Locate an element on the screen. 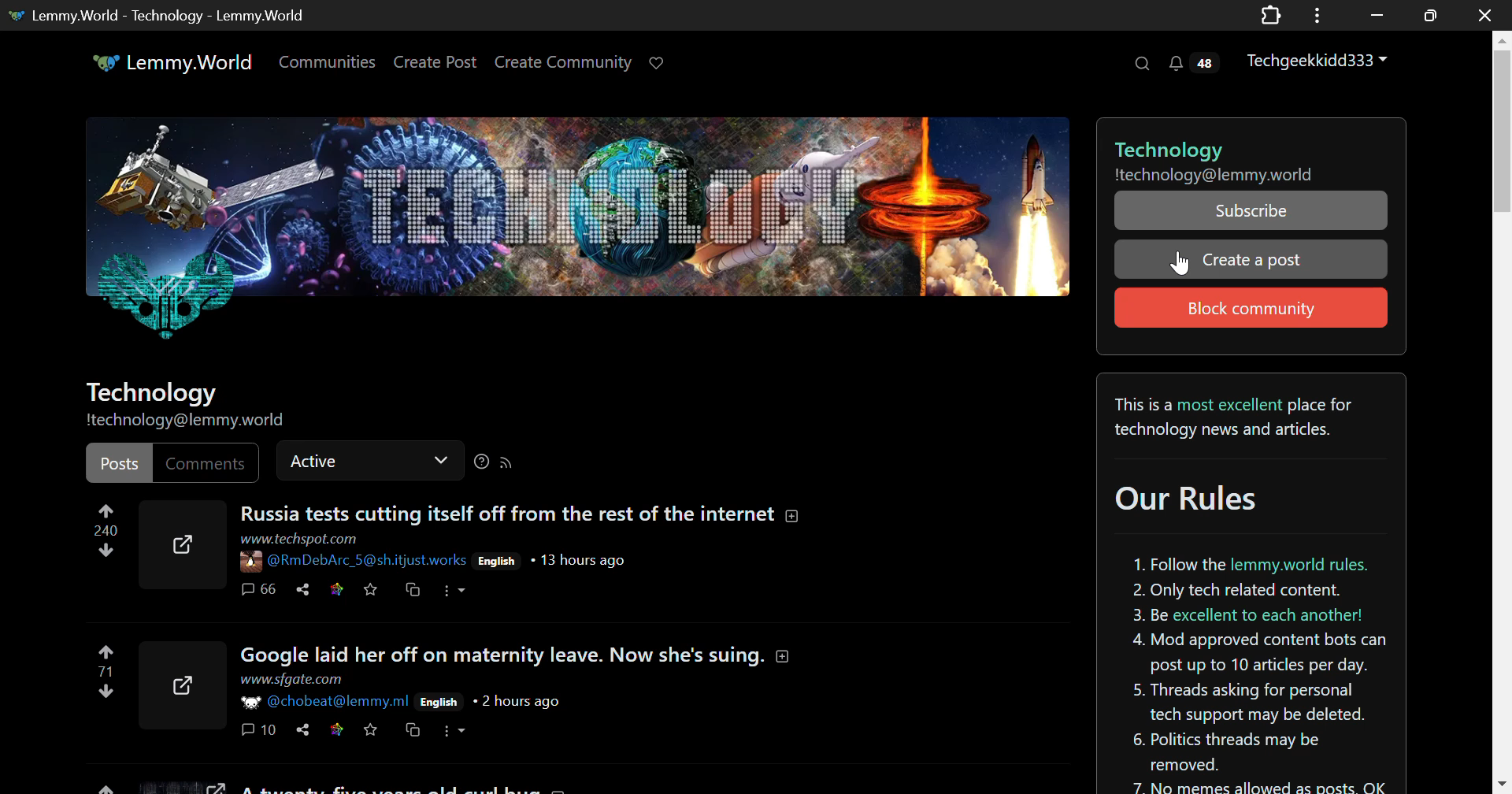 The image size is (1512, 794). Comments is located at coordinates (260, 587).